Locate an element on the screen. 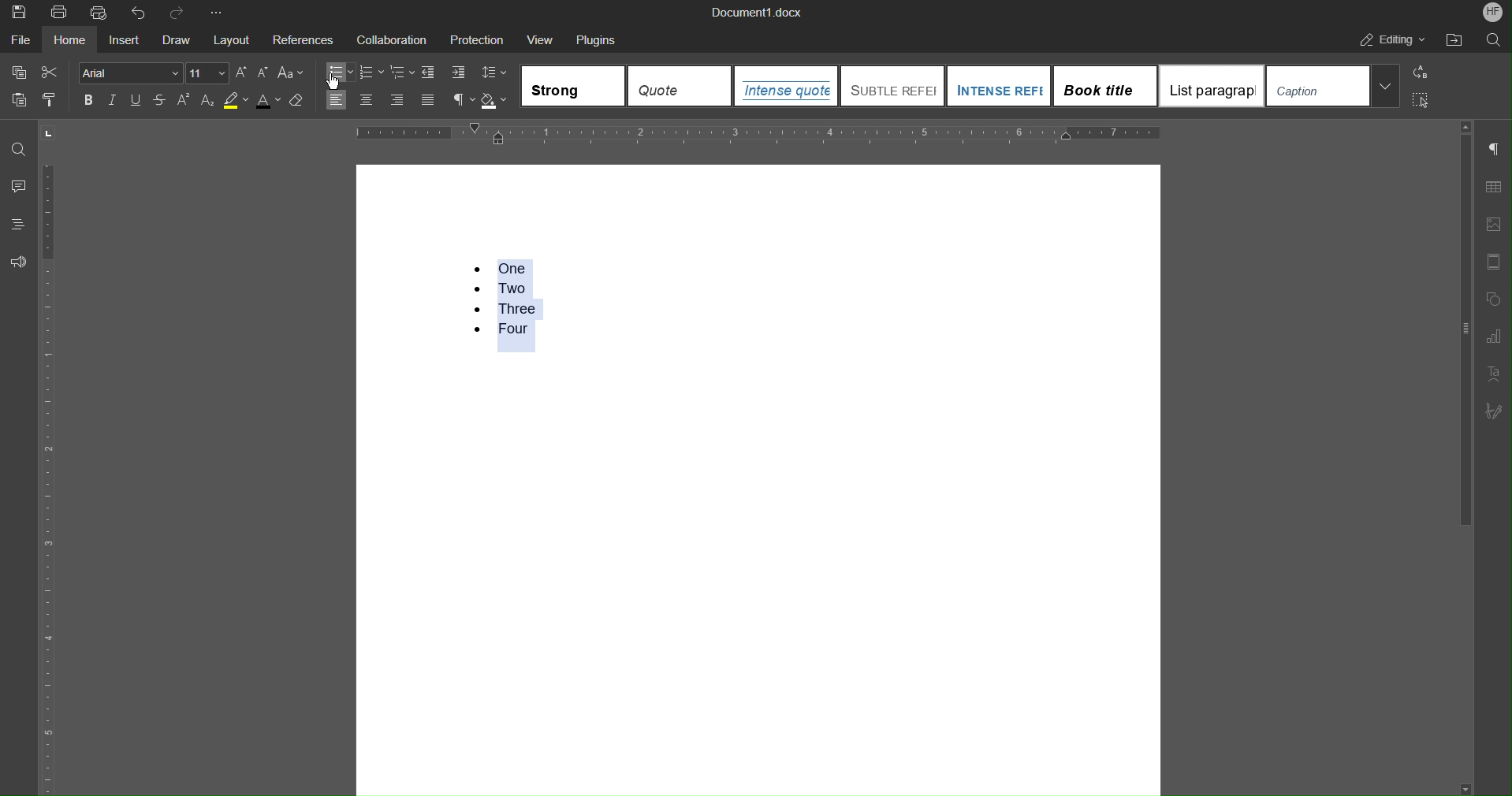 The image size is (1512, 796). Headings is located at coordinates (17, 225).